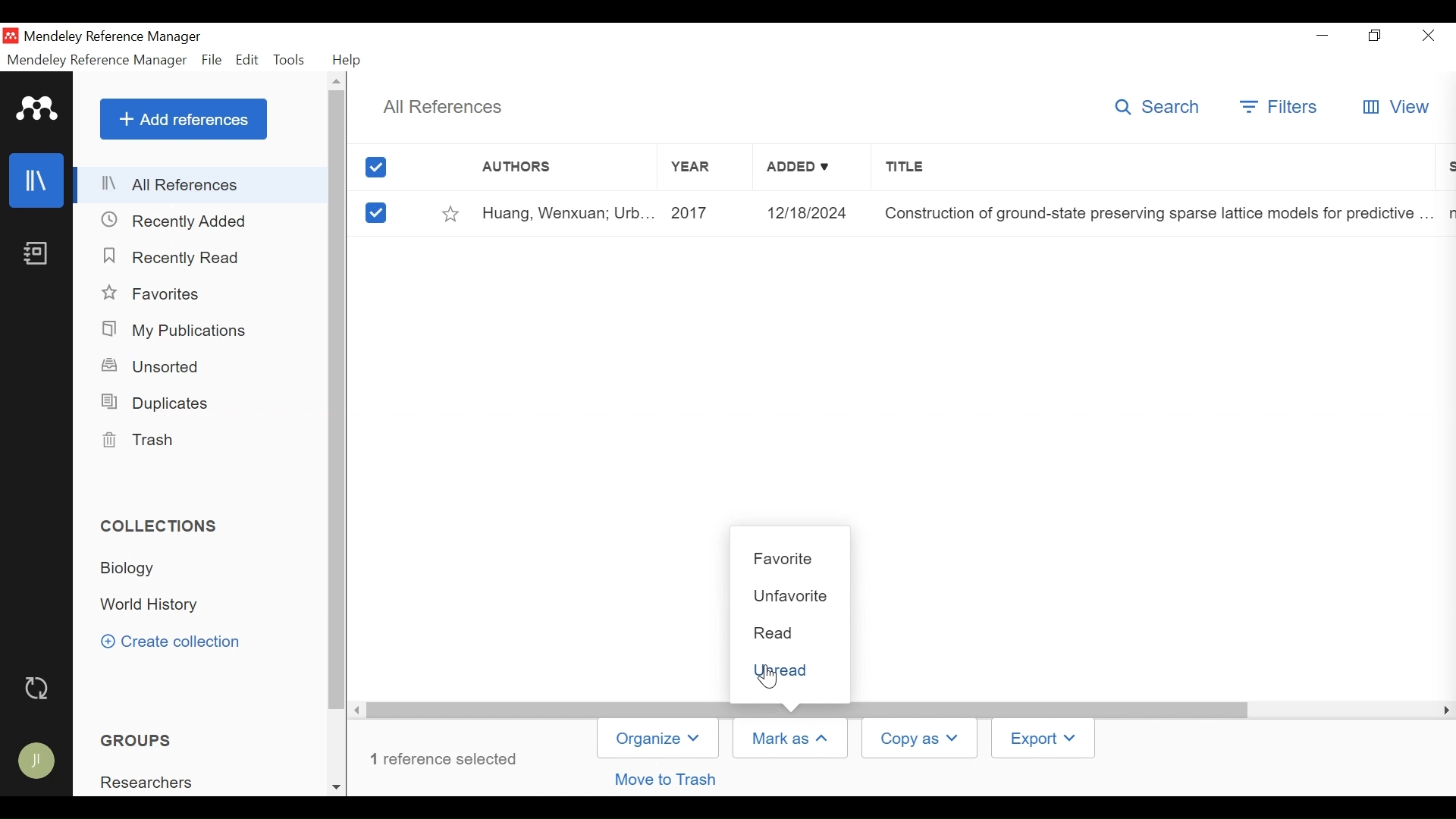  I want to click on Filter, so click(1272, 108).